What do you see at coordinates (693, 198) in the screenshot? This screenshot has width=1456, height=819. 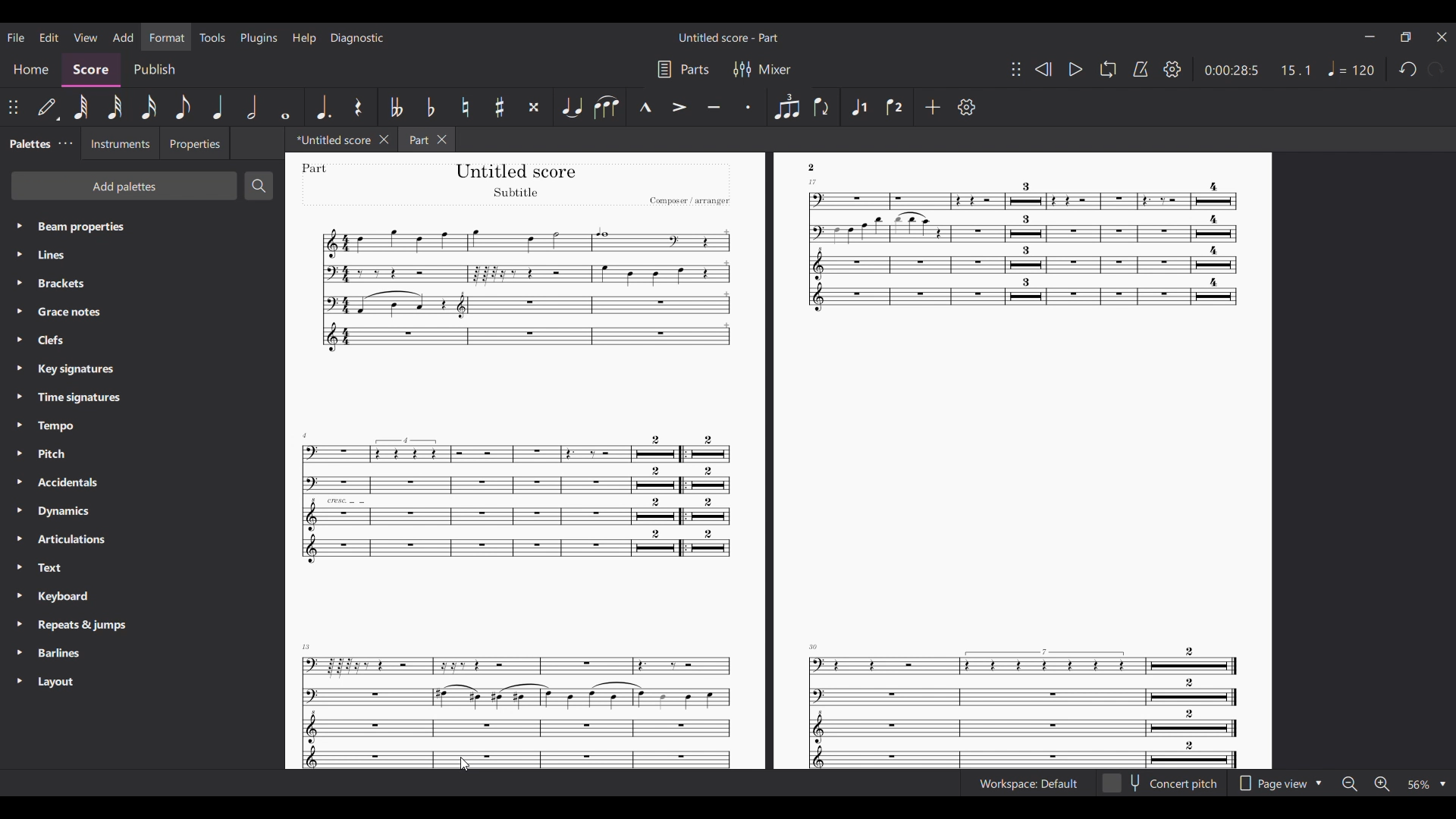 I see `` at bounding box center [693, 198].